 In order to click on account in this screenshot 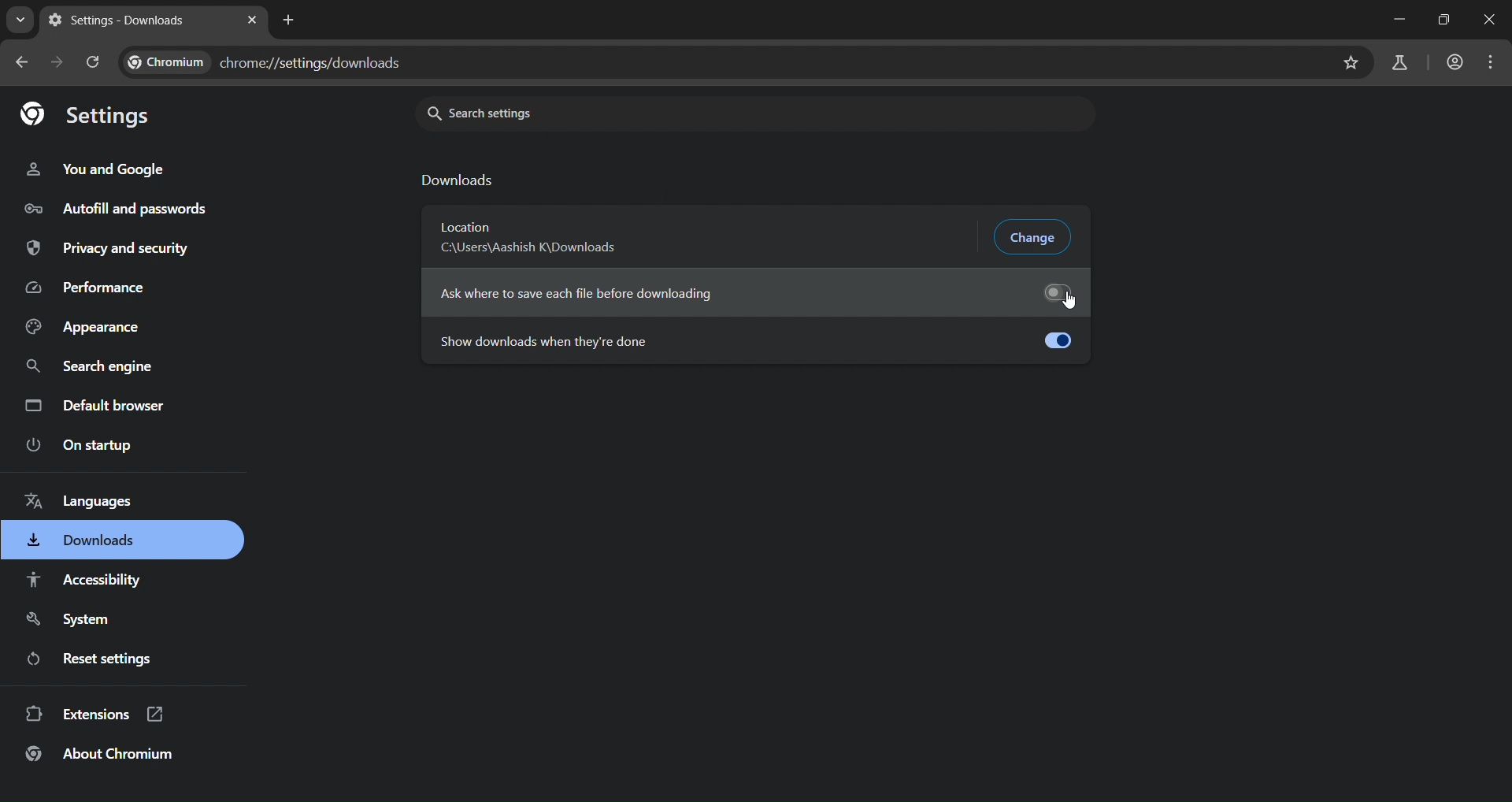, I will do `click(1452, 61)`.